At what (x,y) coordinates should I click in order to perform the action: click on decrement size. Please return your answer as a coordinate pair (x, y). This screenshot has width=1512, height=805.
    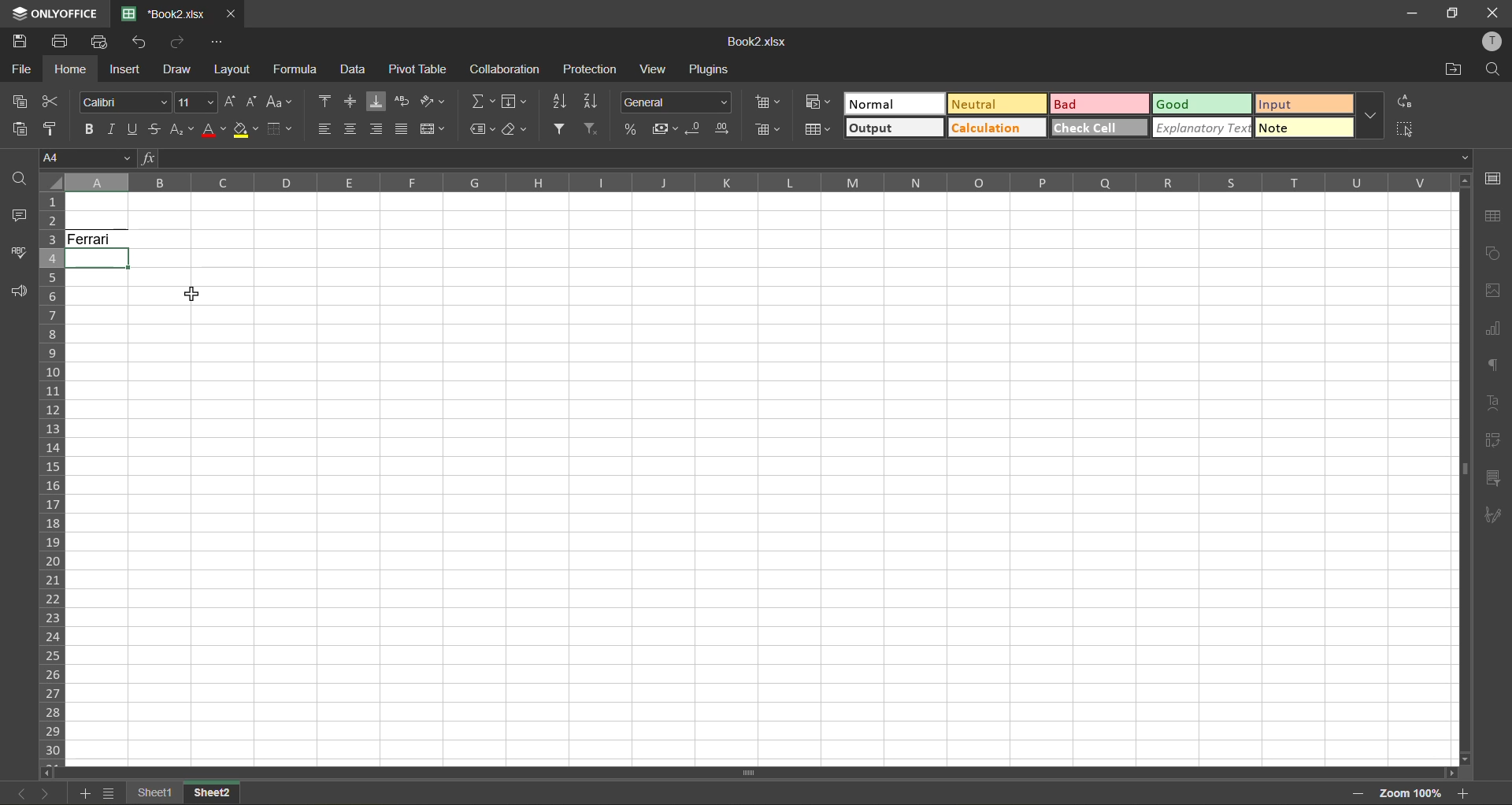
    Looking at the image, I should click on (253, 101).